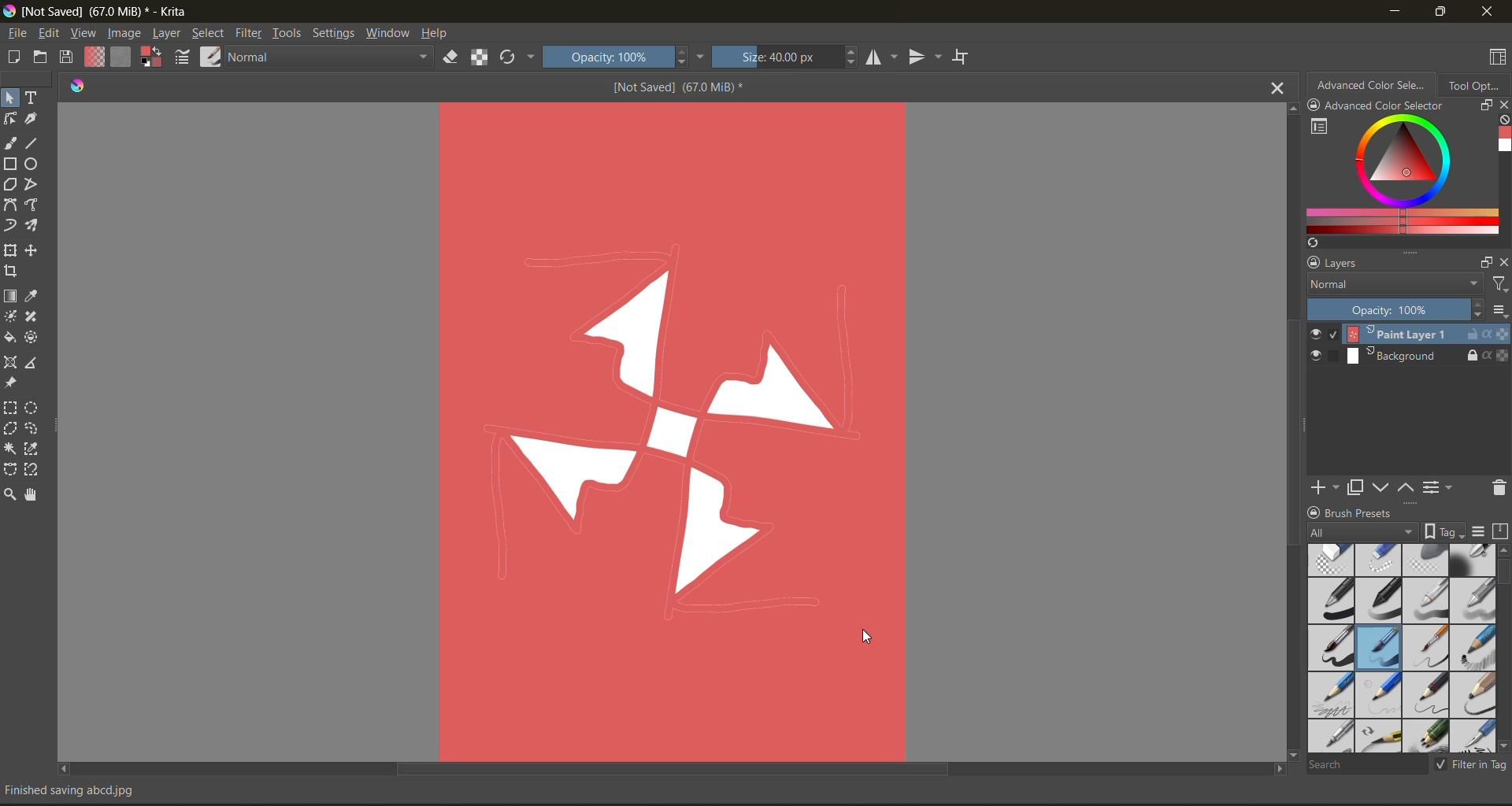 The image size is (1512, 806). Describe the element at coordinates (1409, 335) in the screenshot. I see `layer` at that location.